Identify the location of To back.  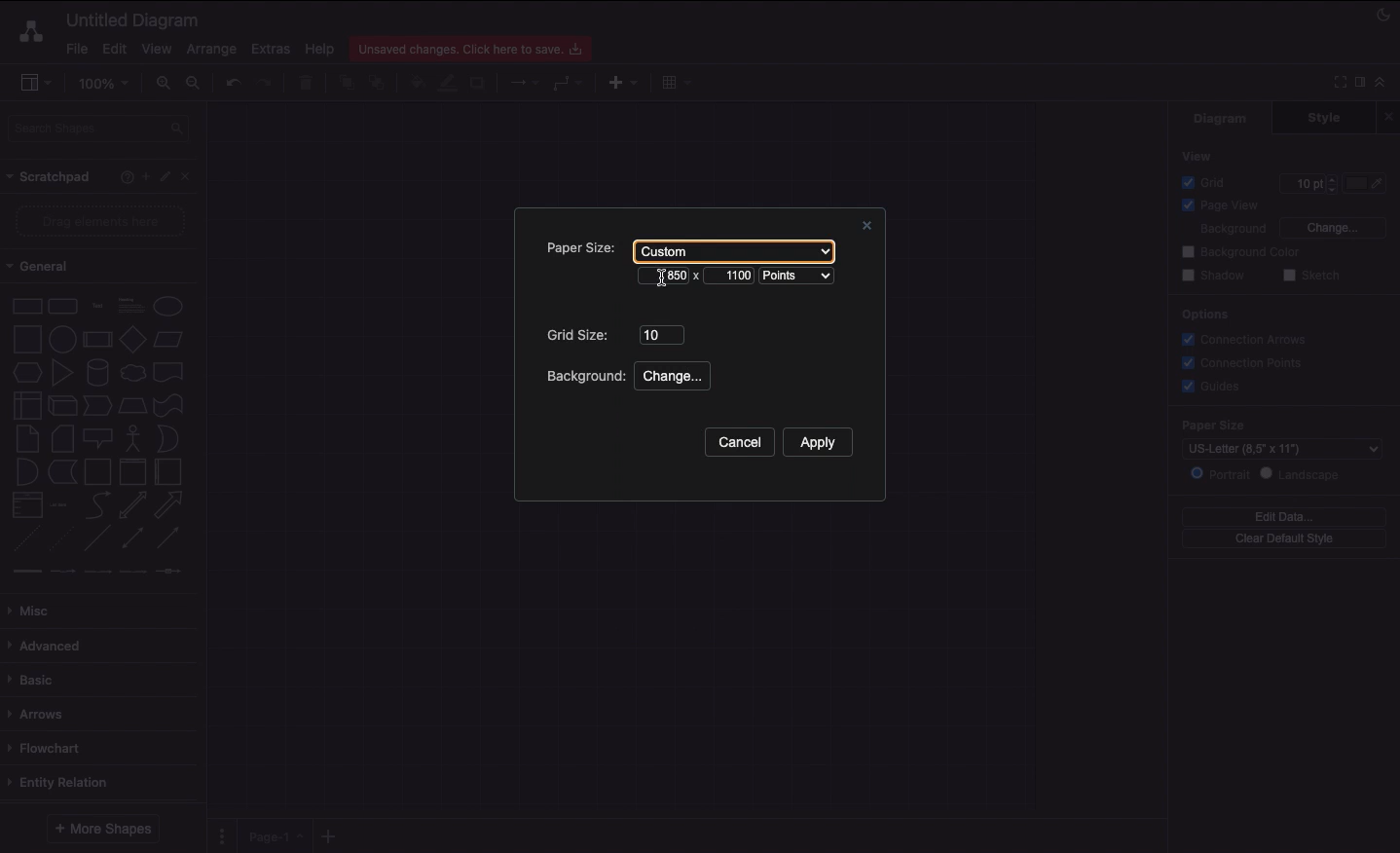
(380, 82).